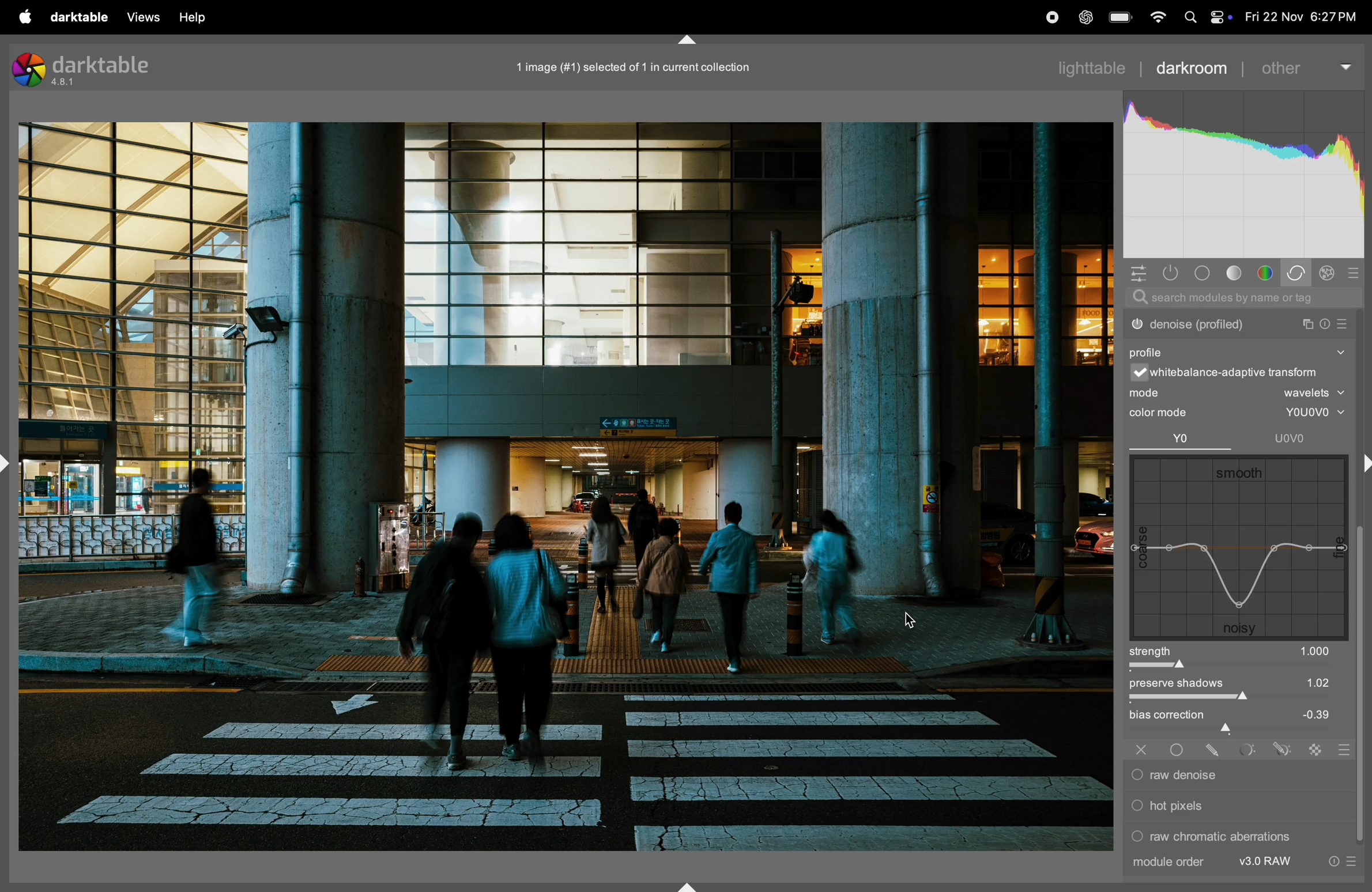 The width and height of the screenshot is (1372, 892). Describe the element at coordinates (1234, 721) in the screenshot. I see `bias correctiom` at that location.